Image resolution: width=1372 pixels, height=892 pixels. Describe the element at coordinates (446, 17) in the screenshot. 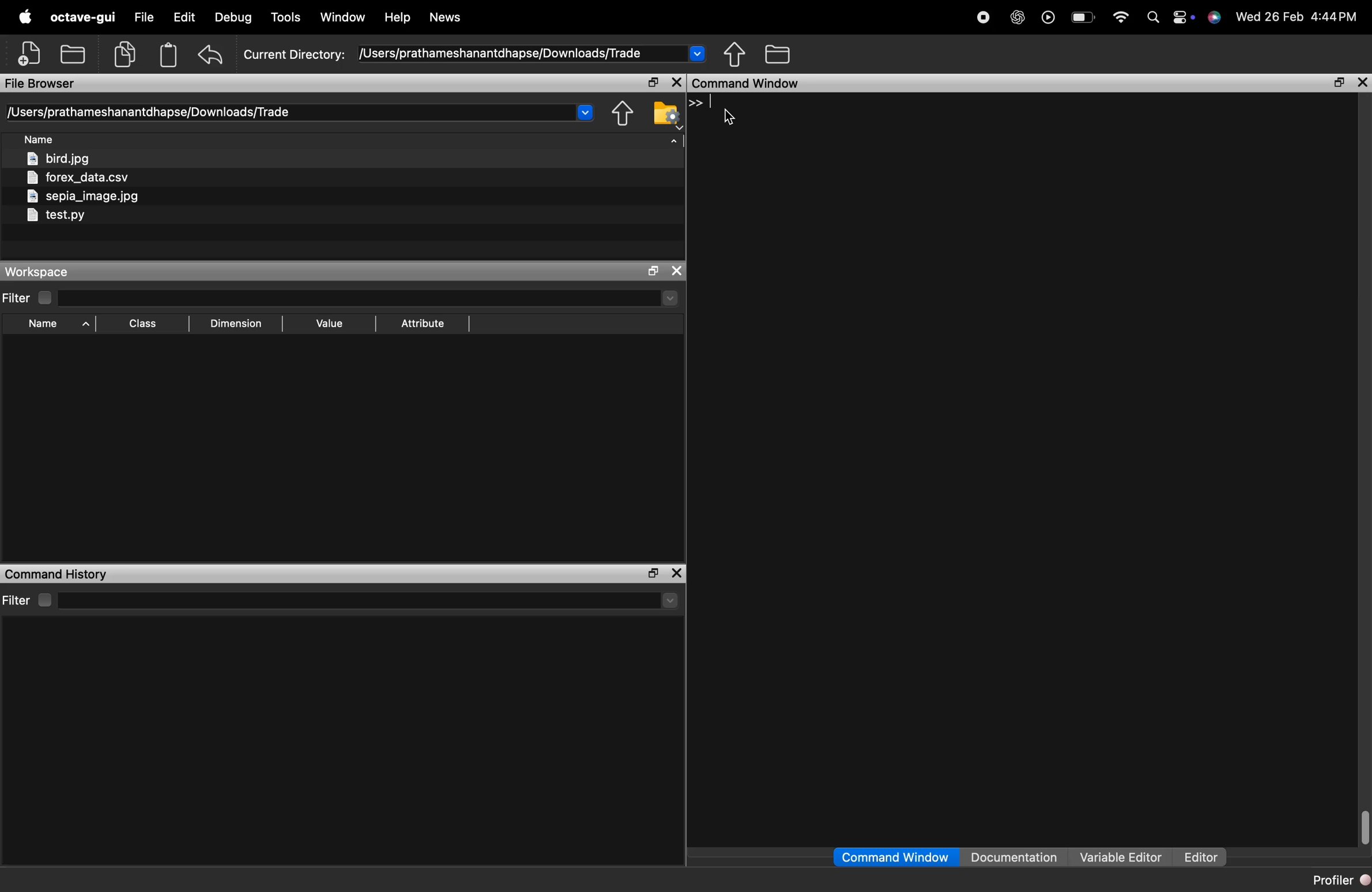

I see `News` at that location.